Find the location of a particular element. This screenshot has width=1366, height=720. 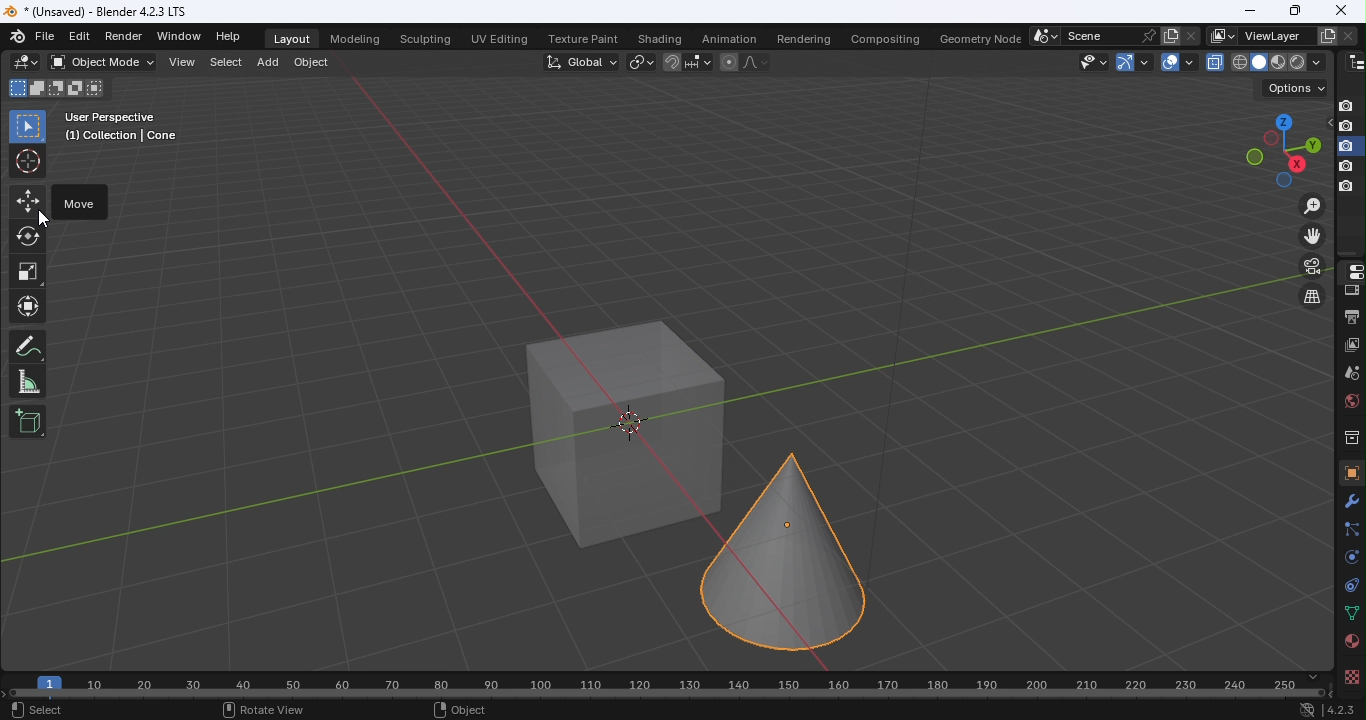

Scale is located at coordinates (29, 272).